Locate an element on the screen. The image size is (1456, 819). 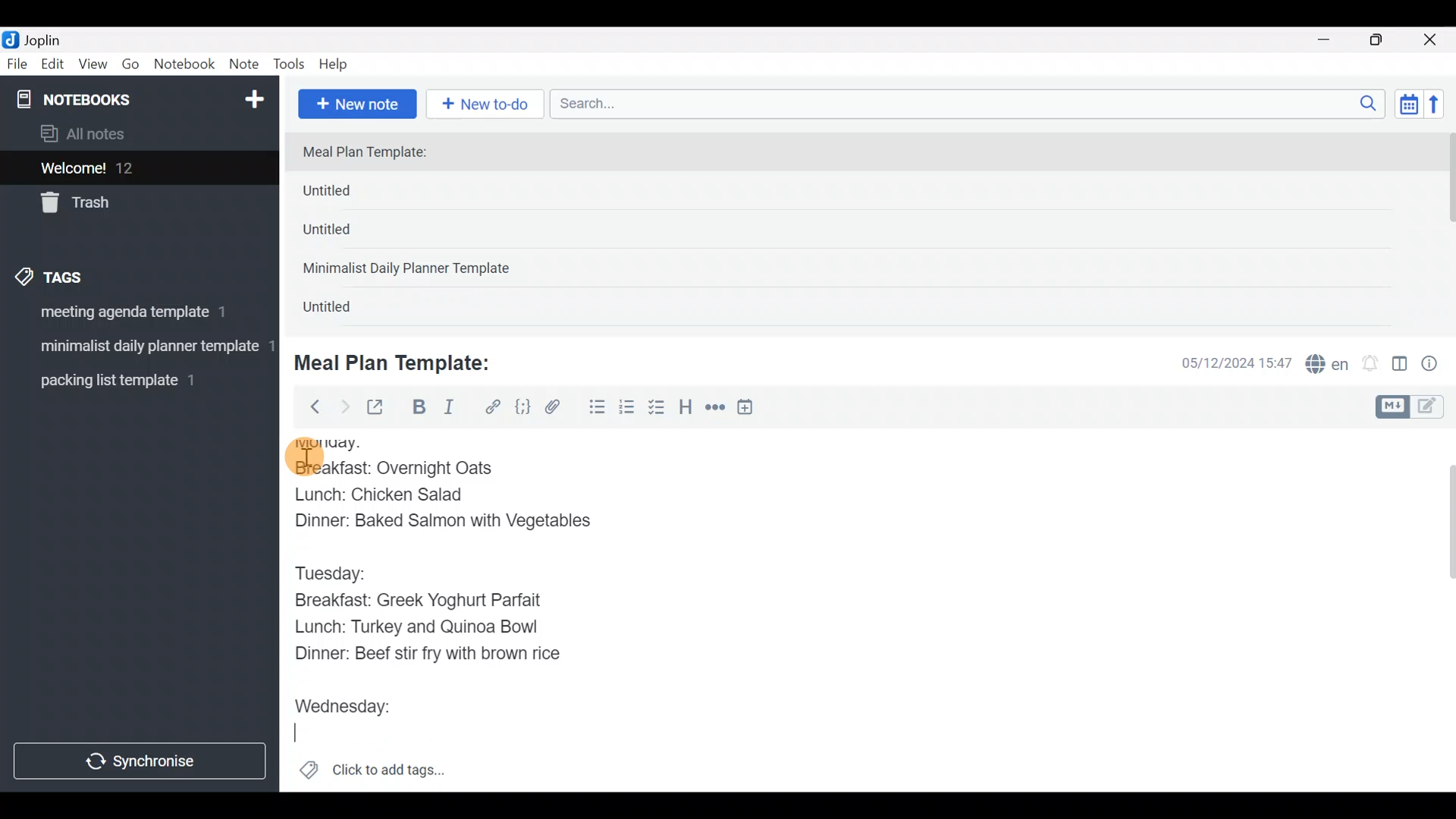
Dinner: Beef stir fry with brown rice is located at coordinates (430, 655).